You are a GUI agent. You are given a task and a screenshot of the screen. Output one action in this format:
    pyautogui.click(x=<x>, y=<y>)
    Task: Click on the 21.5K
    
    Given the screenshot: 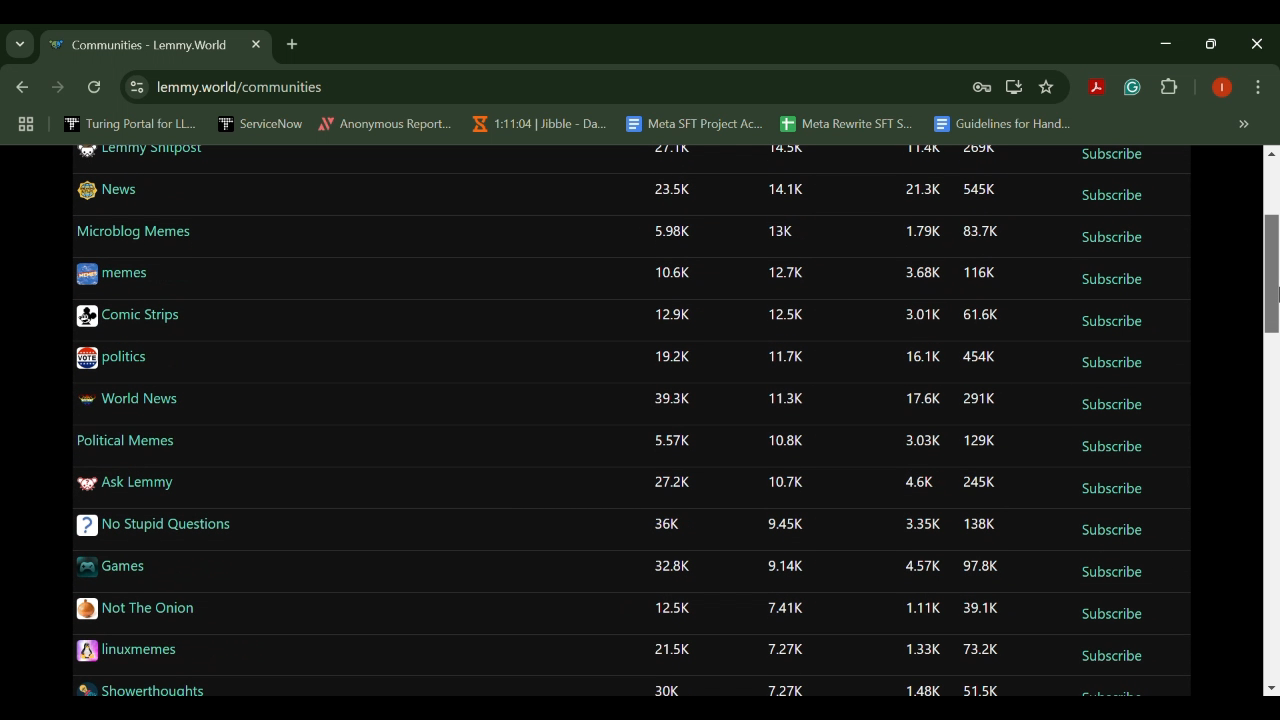 What is the action you would take?
    pyautogui.click(x=674, y=651)
    